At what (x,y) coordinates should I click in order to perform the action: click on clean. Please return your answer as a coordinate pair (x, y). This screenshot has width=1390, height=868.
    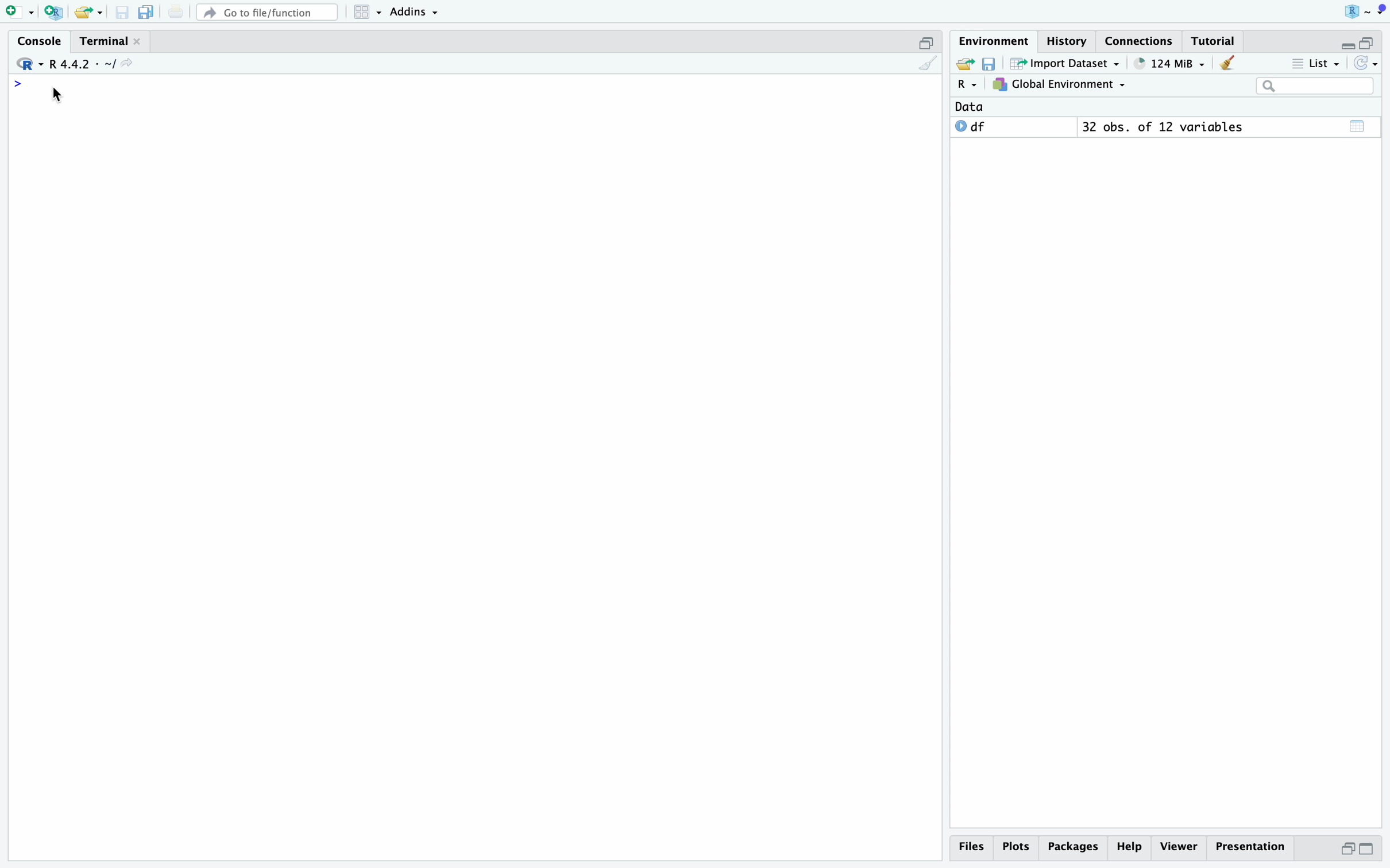
    Looking at the image, I should click on (928, 63).